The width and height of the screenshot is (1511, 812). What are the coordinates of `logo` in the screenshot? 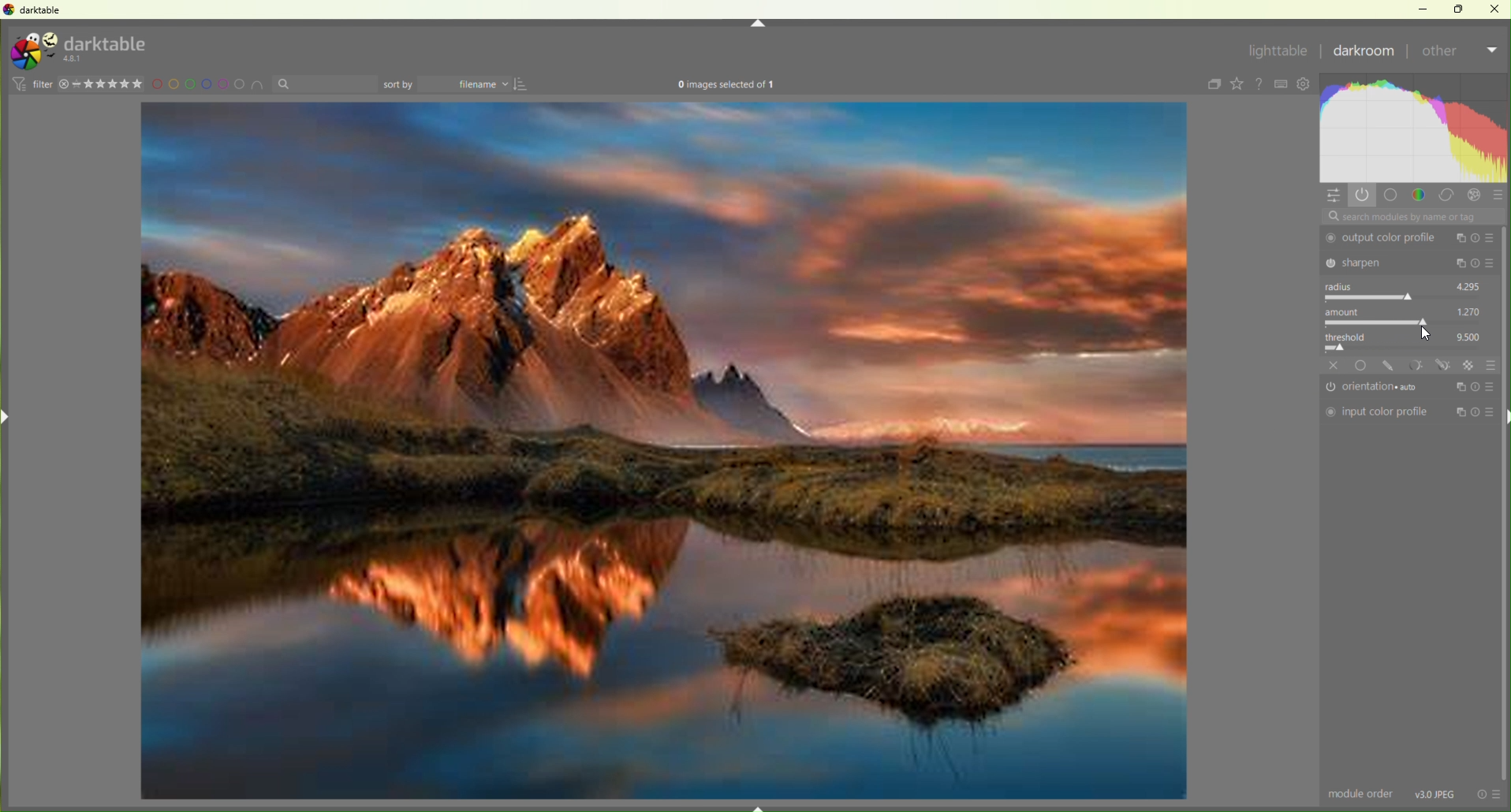 It's located at (32, 51).